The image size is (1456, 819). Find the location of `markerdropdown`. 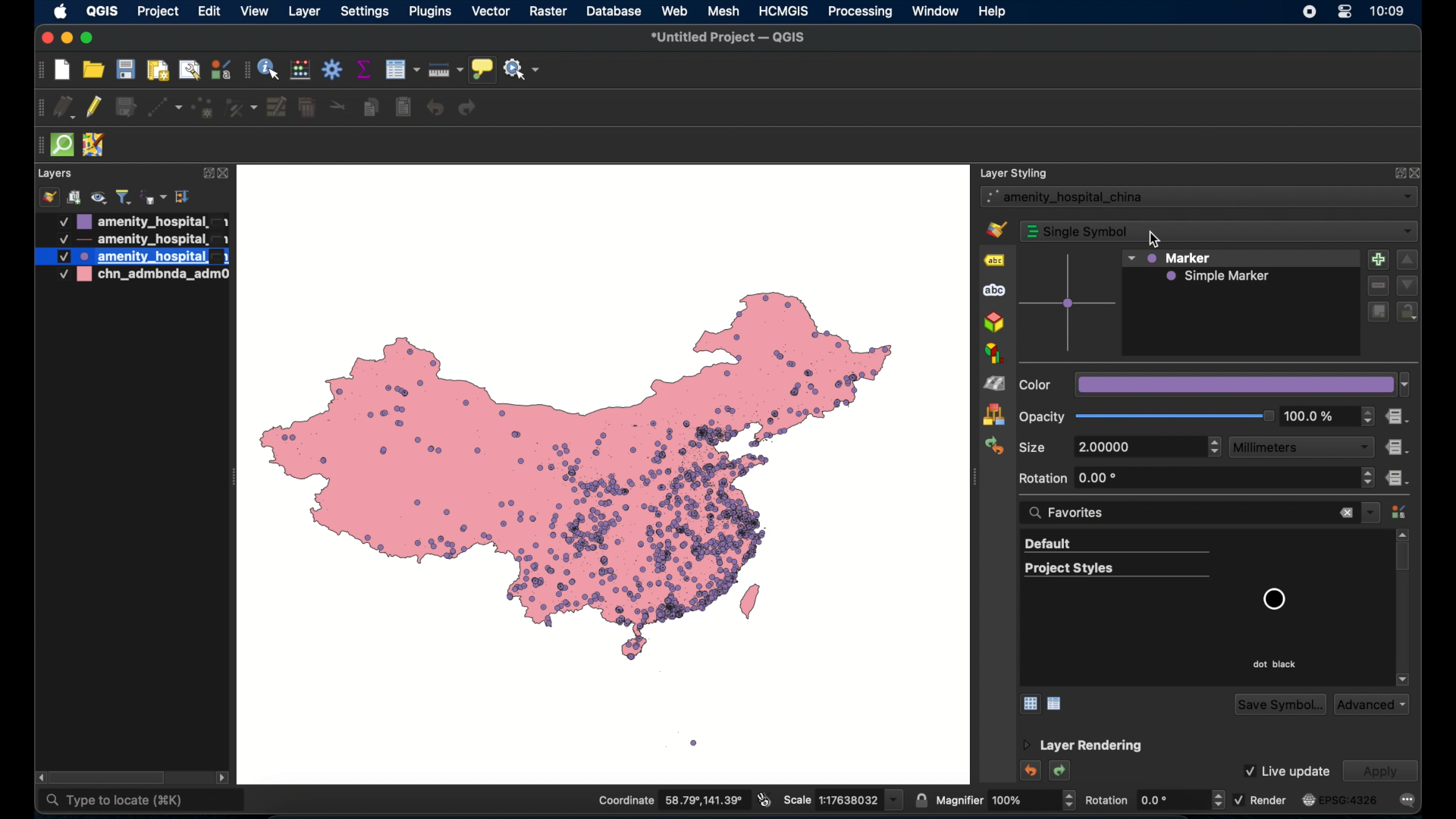

markerdropdown is located at coordinates (1170, 258).